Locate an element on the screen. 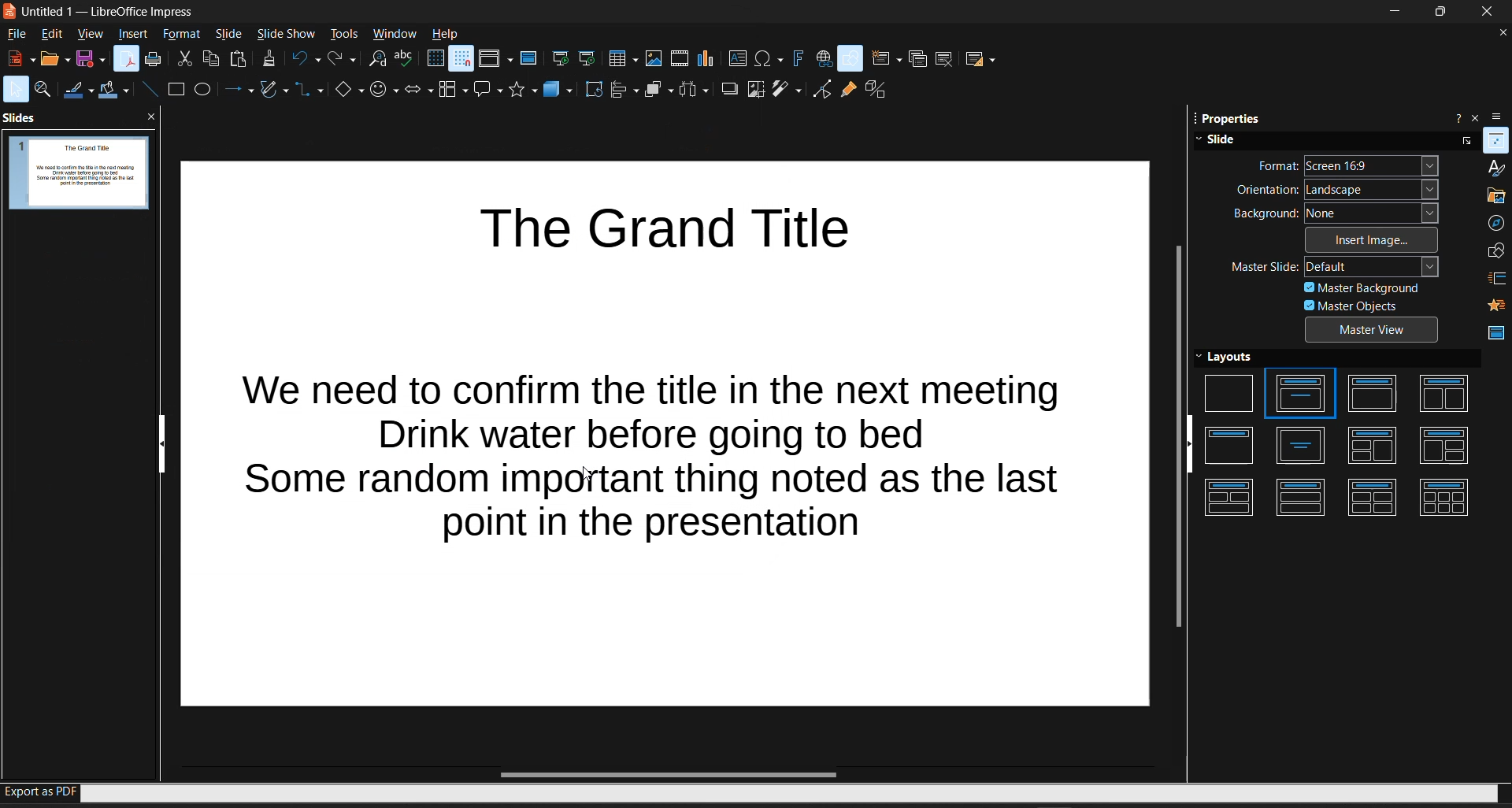  format is located at coordinates (1348, 164).